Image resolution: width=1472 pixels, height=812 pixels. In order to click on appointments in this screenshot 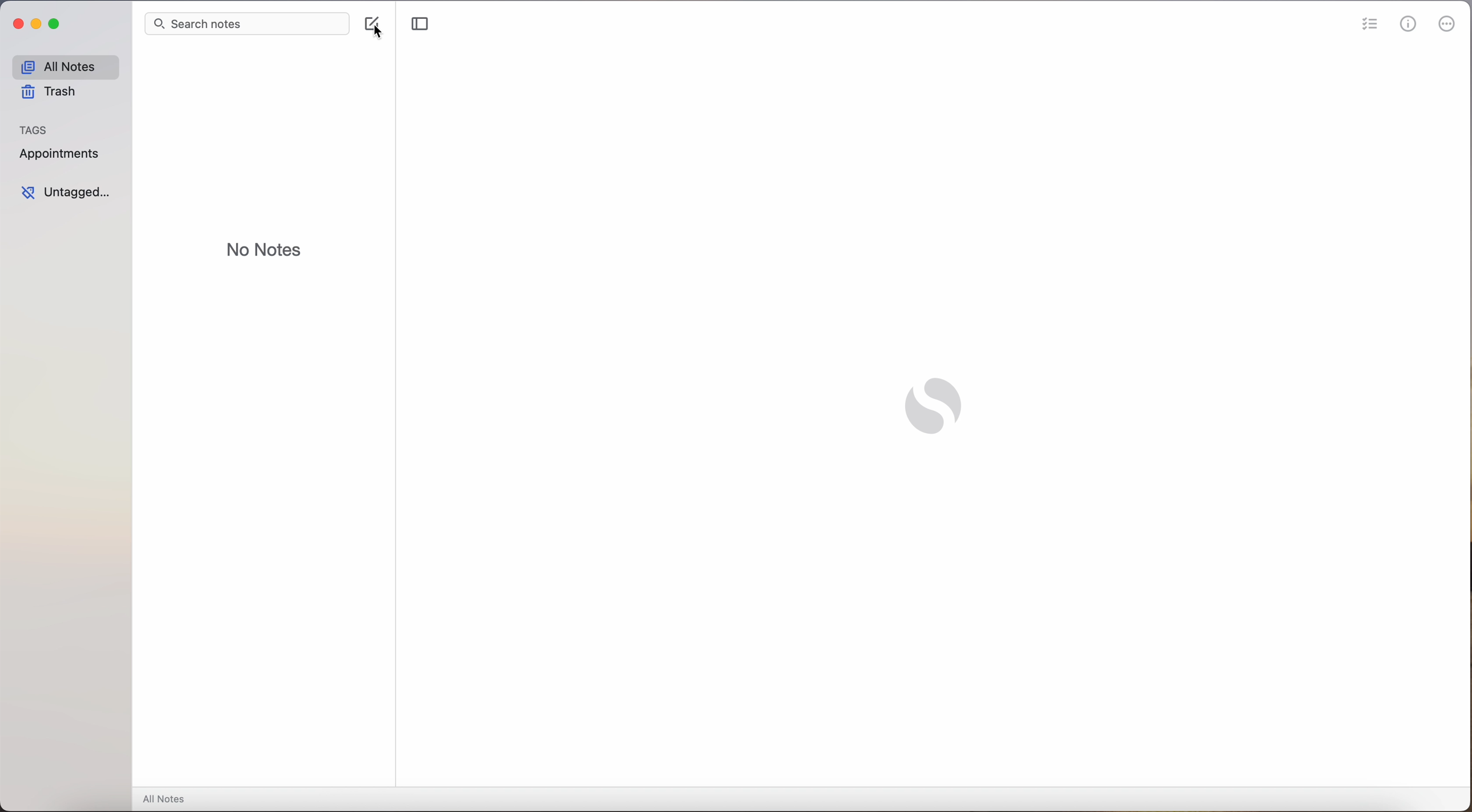, I will do `click(61, 154)`.